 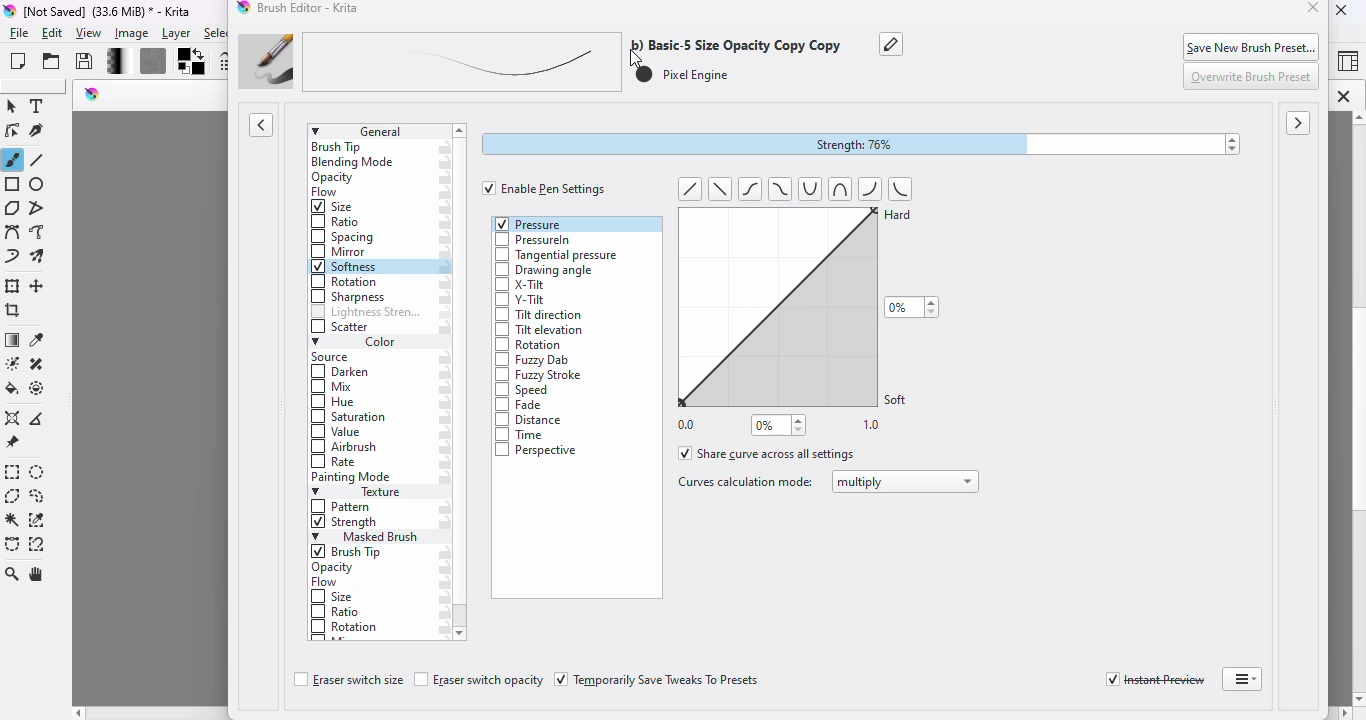 I want to click on saturation, so click(x=350, y=418).